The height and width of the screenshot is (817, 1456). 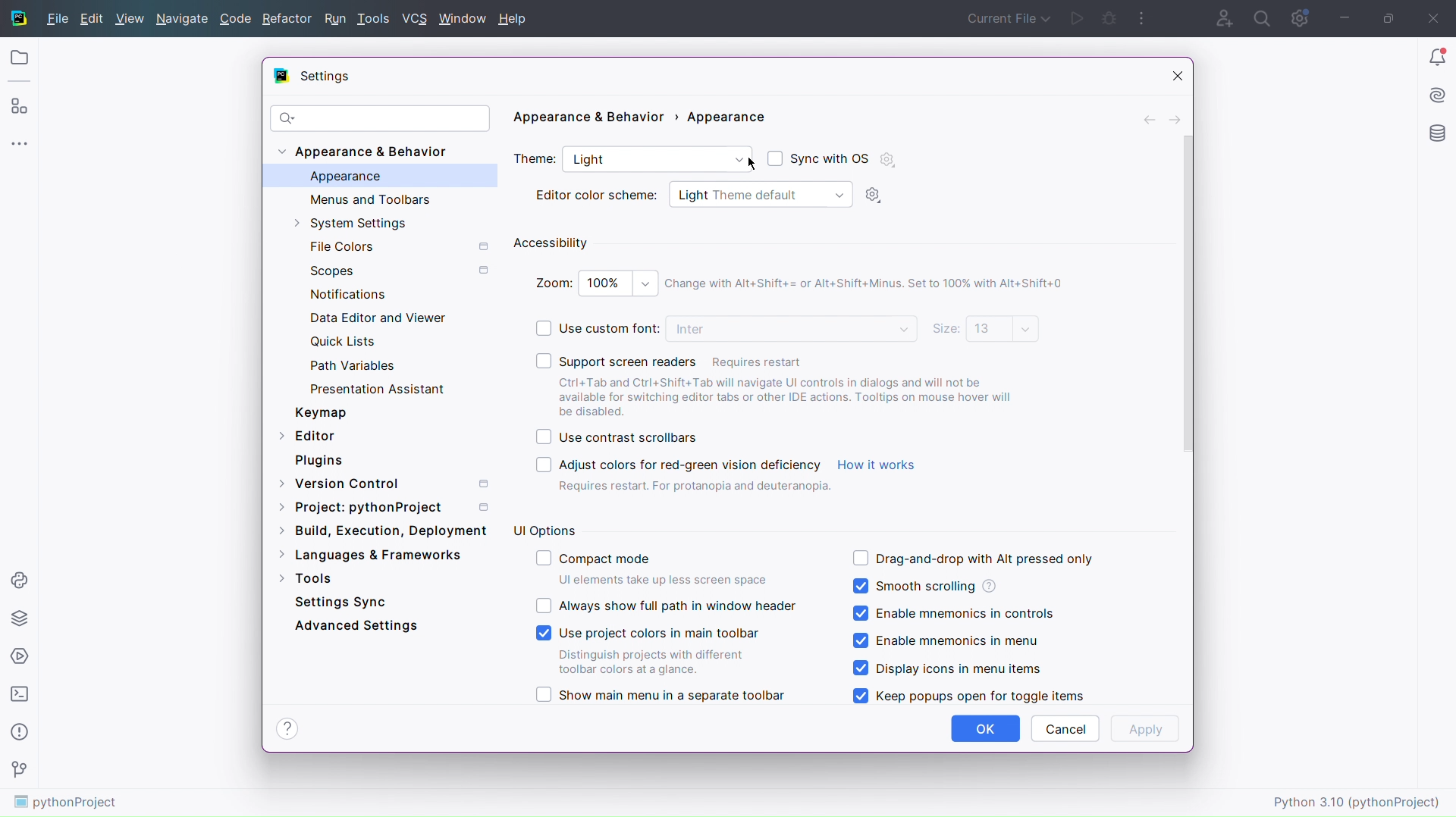 I want to click on size, so click(x=985, y=330).